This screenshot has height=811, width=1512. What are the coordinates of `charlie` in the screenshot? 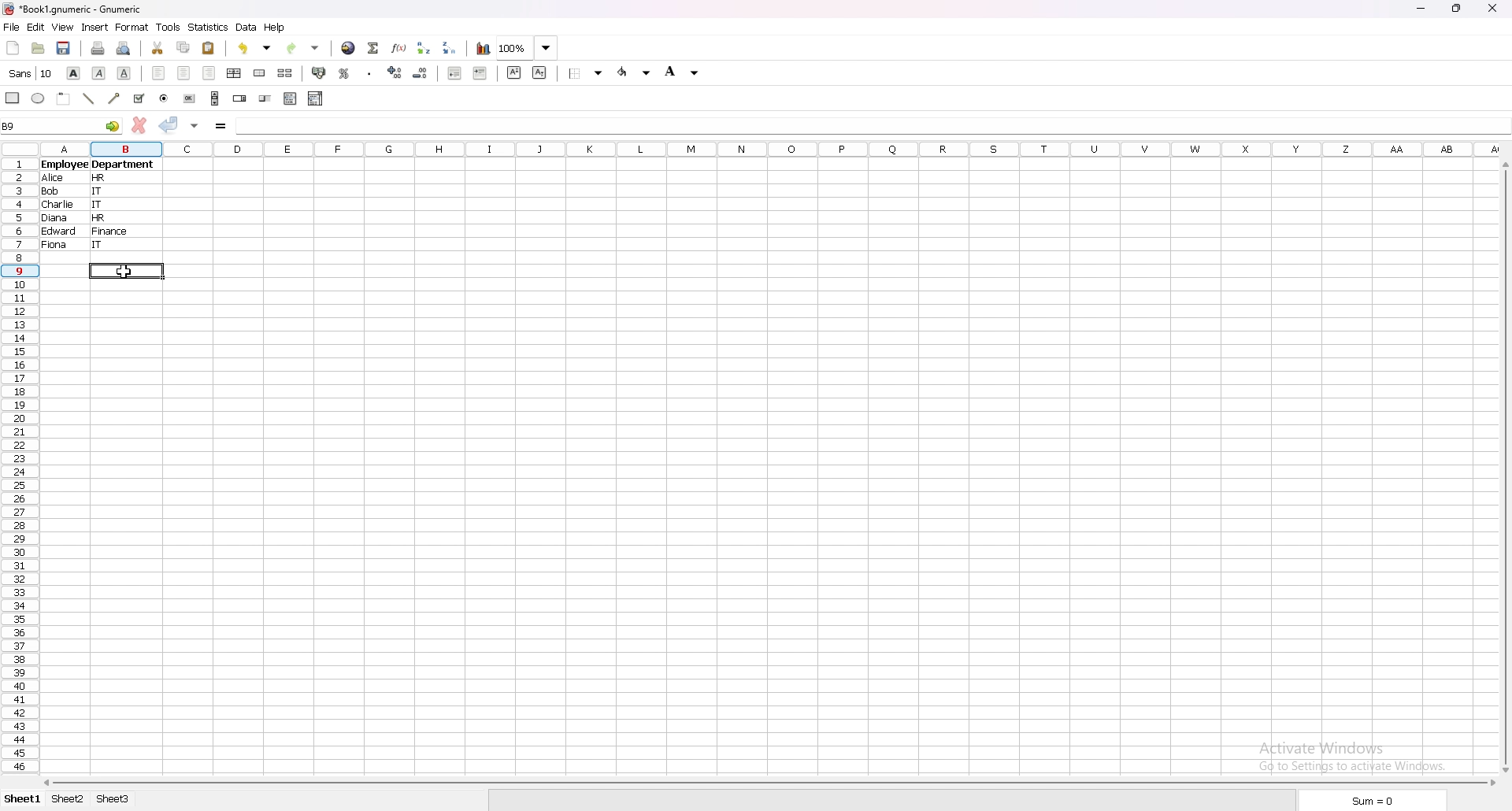 It's located at (61, 207).